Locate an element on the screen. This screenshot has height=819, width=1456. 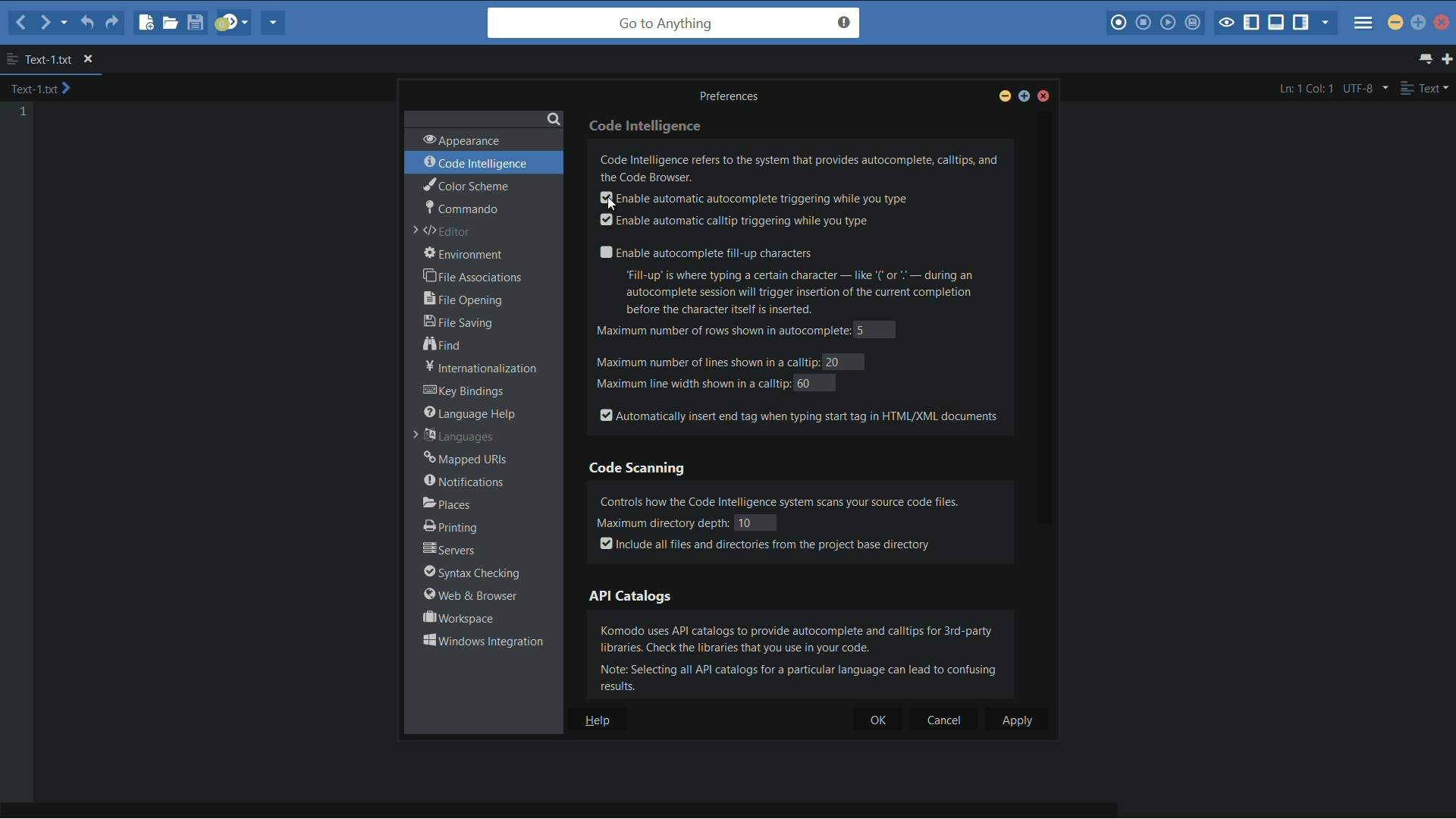
printing is located at coordinates (449, 528).